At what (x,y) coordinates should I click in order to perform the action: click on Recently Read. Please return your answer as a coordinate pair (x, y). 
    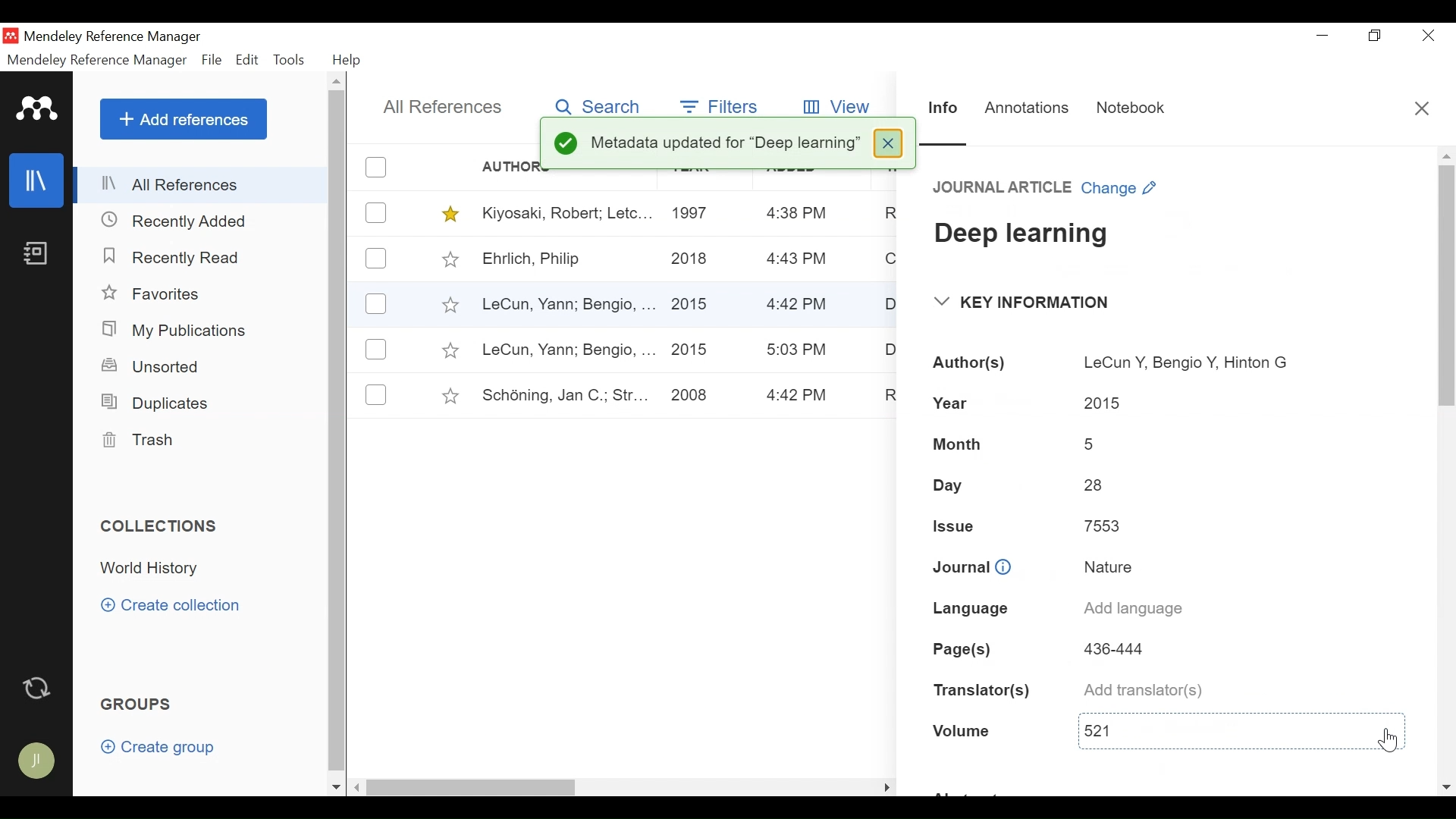
    Looking at the image, I should click on (174, 257).